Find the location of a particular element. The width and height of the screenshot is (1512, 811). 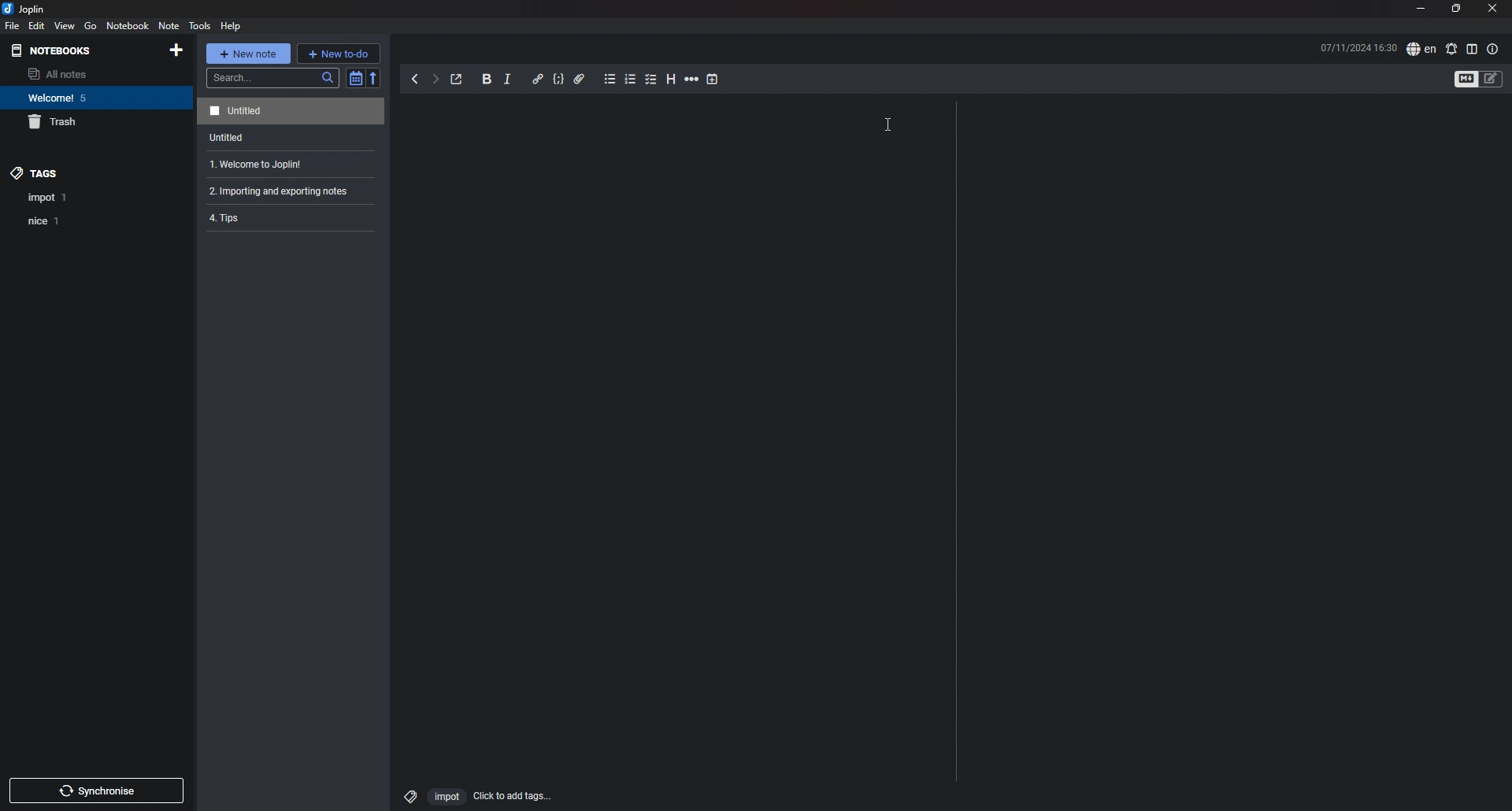

file is located at coordinates (13, 26).